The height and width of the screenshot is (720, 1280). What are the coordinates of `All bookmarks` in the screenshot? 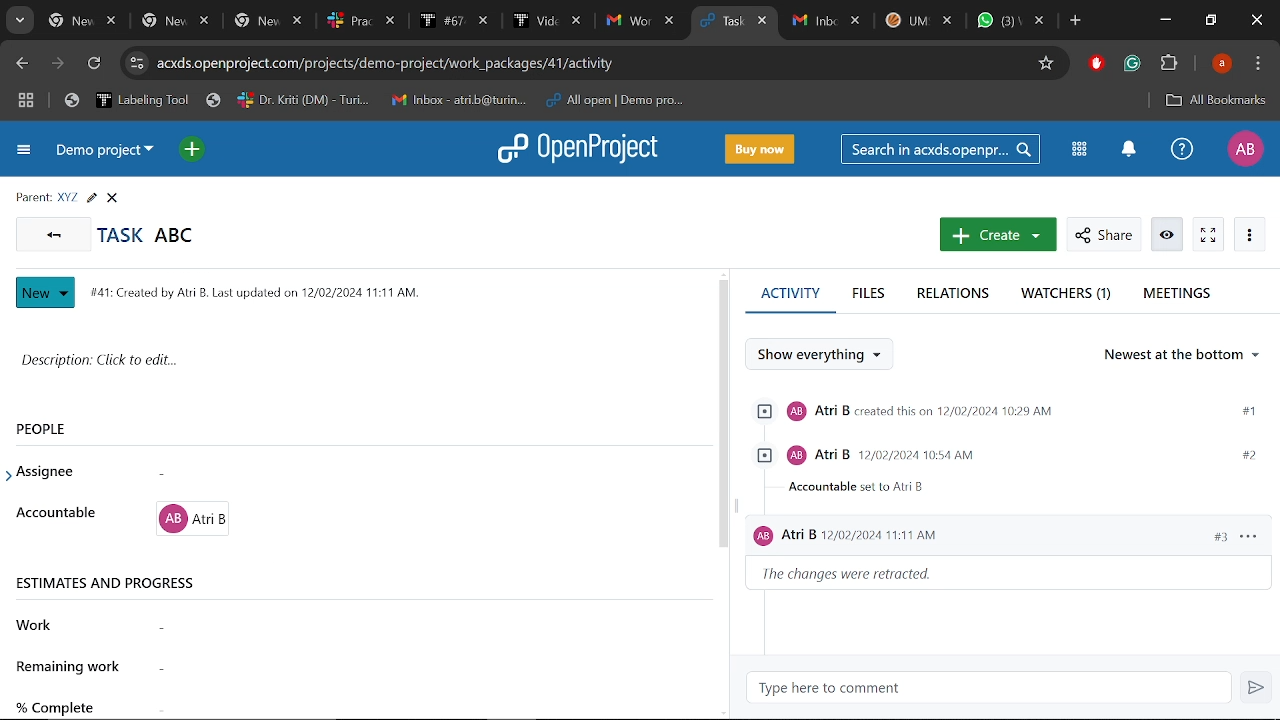 It's located at (1212, 100).